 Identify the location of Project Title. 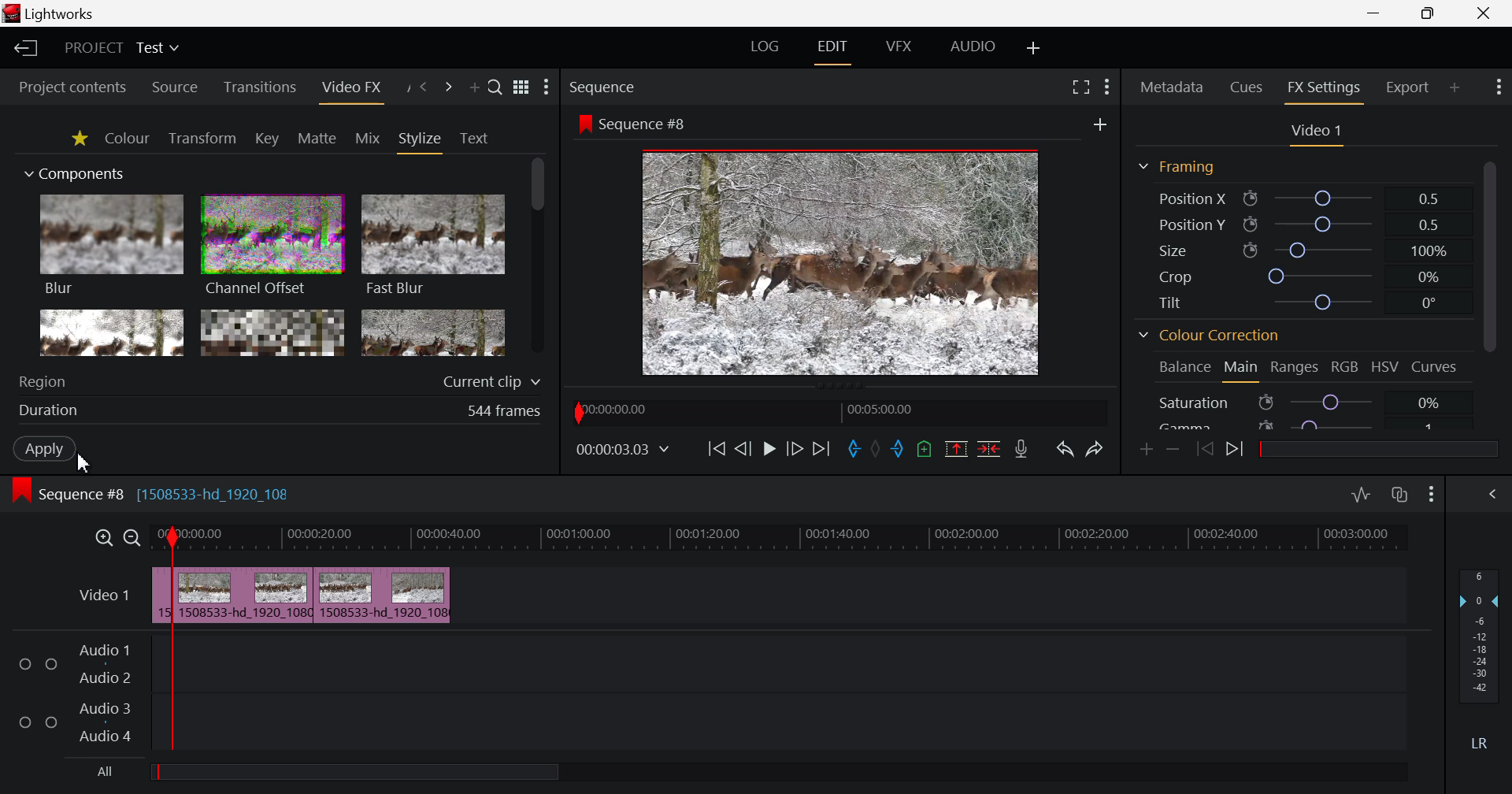
(124, 47).